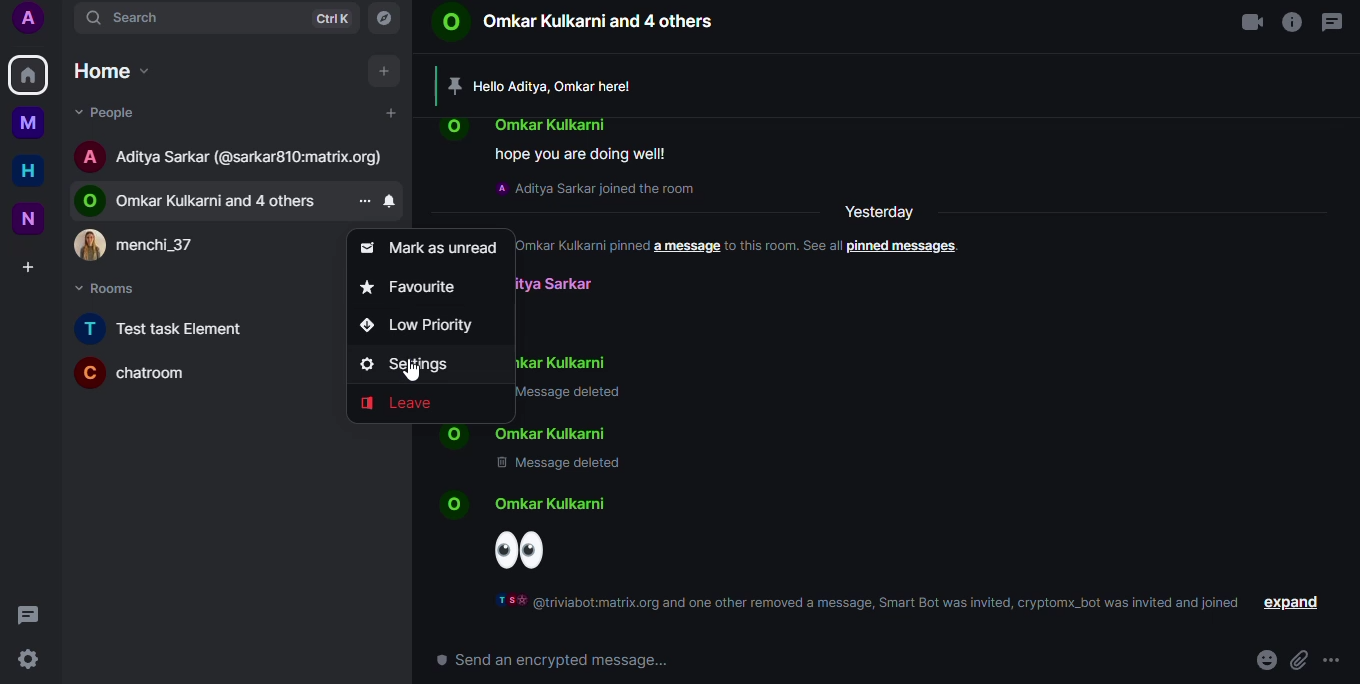  What do you see at coordinates (392, 201) in the screenshot?
I see `notification settings` at bounding box center [392, 201].